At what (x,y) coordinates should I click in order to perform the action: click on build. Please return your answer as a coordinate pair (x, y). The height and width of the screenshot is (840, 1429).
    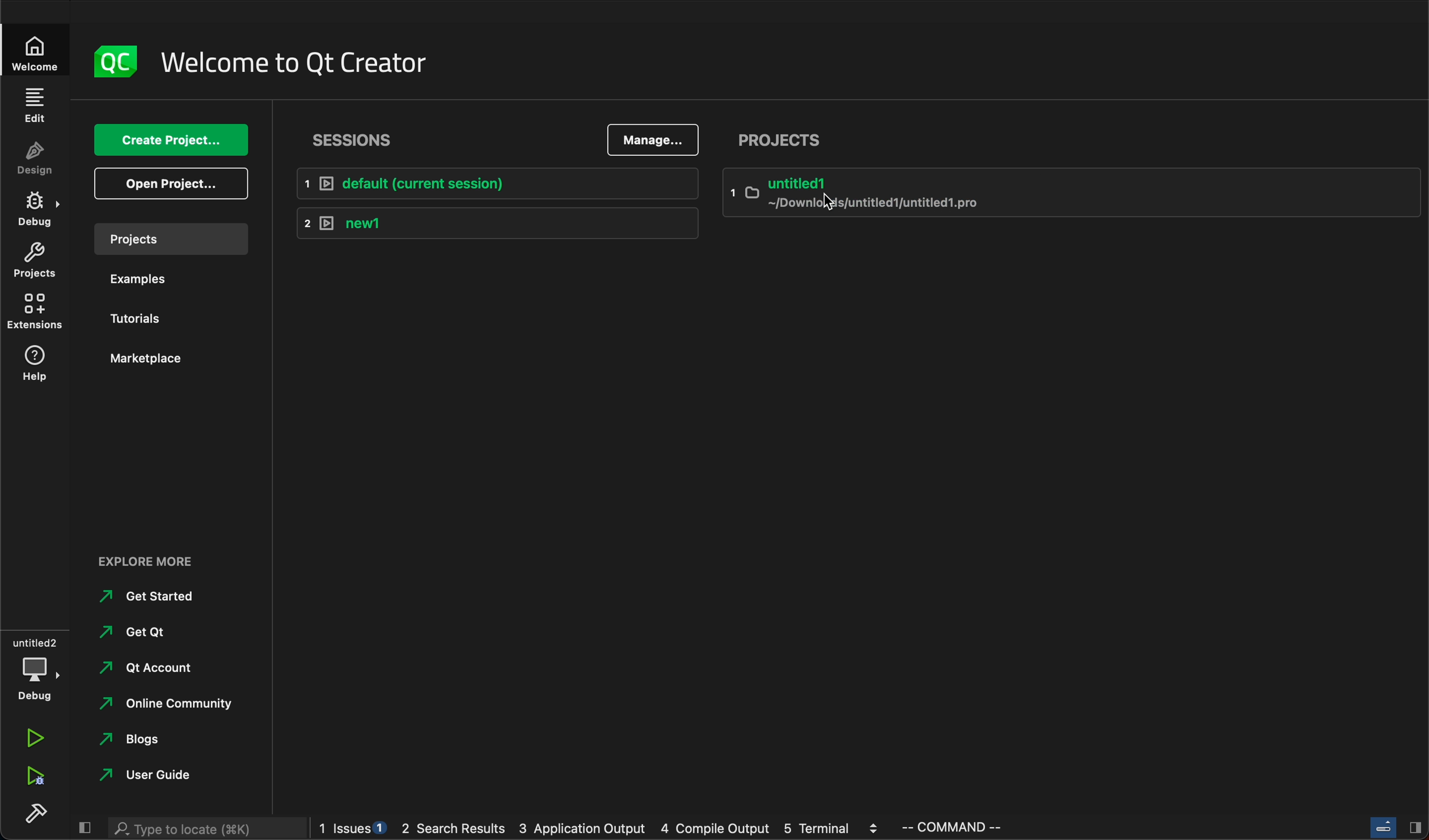
    Looking at the image, I should click on (31, 820).